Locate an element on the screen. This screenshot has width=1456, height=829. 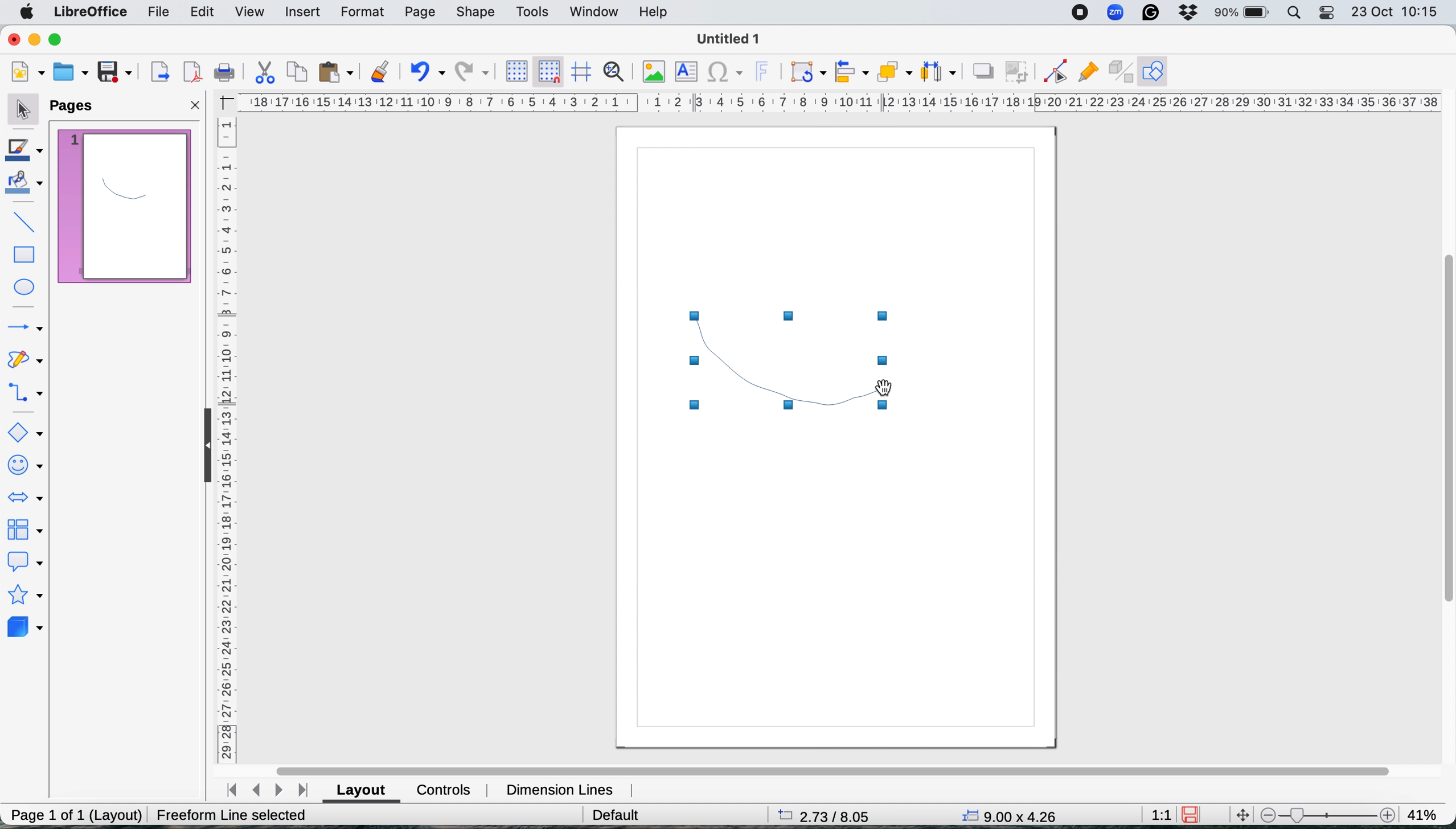
freehand shape is located at coordinates (788, 356).